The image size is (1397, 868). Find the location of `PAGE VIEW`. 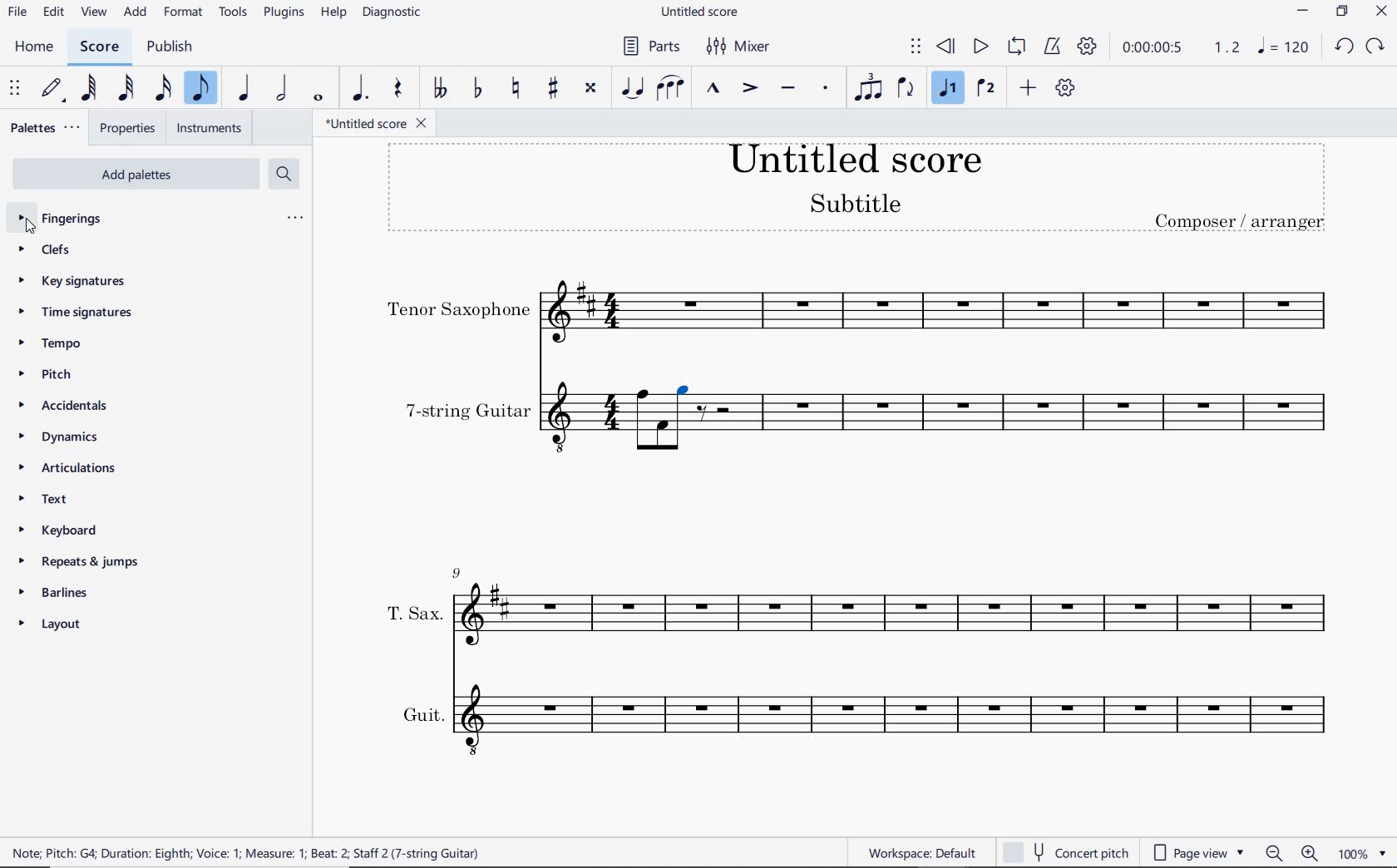

PAGE VIEW is located at coordinates (1197, 852).